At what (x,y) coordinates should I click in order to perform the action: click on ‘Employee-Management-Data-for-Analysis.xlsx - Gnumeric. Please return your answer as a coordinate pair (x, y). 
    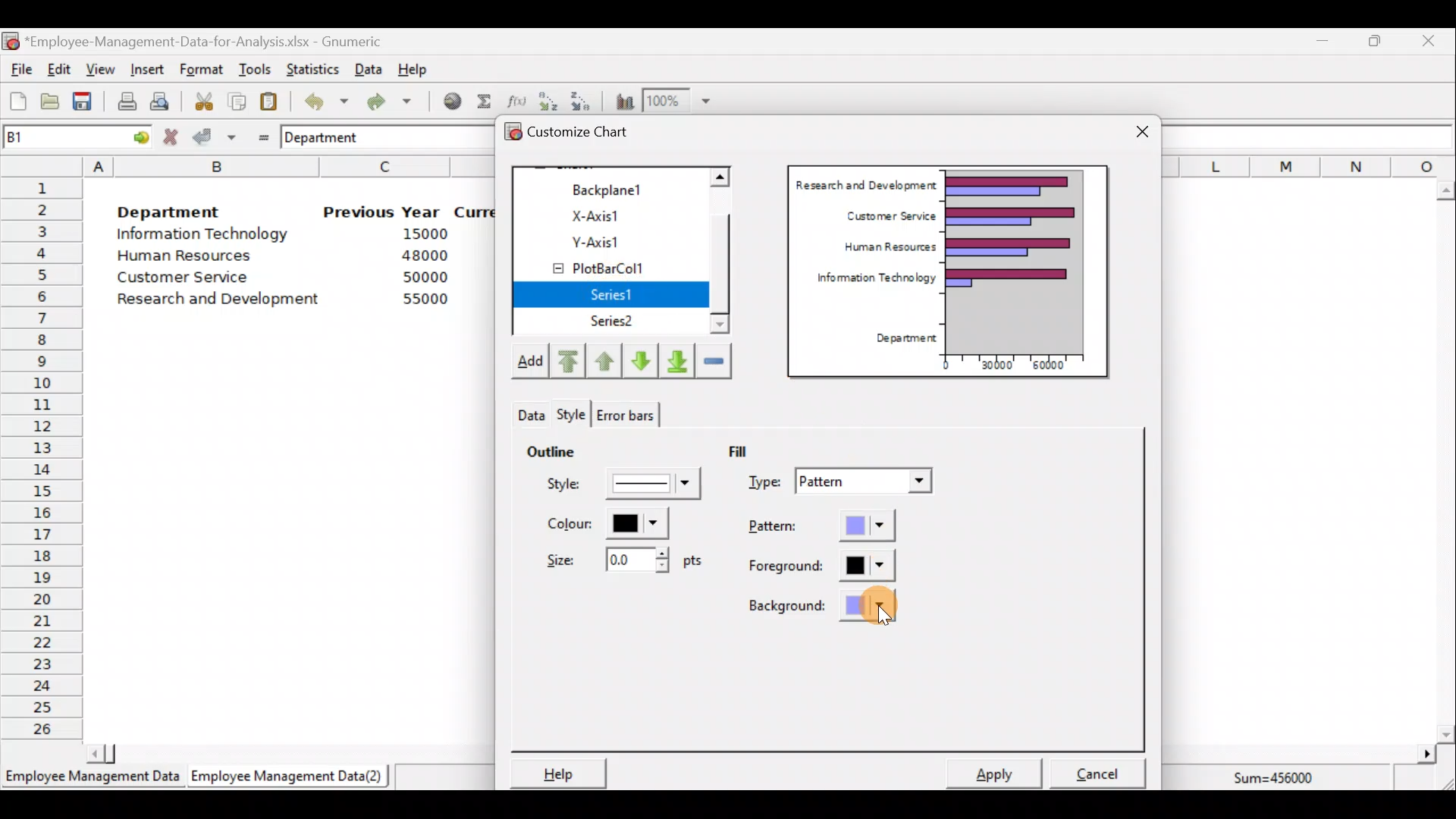
    Looking at the image, I should click on (208, 40).